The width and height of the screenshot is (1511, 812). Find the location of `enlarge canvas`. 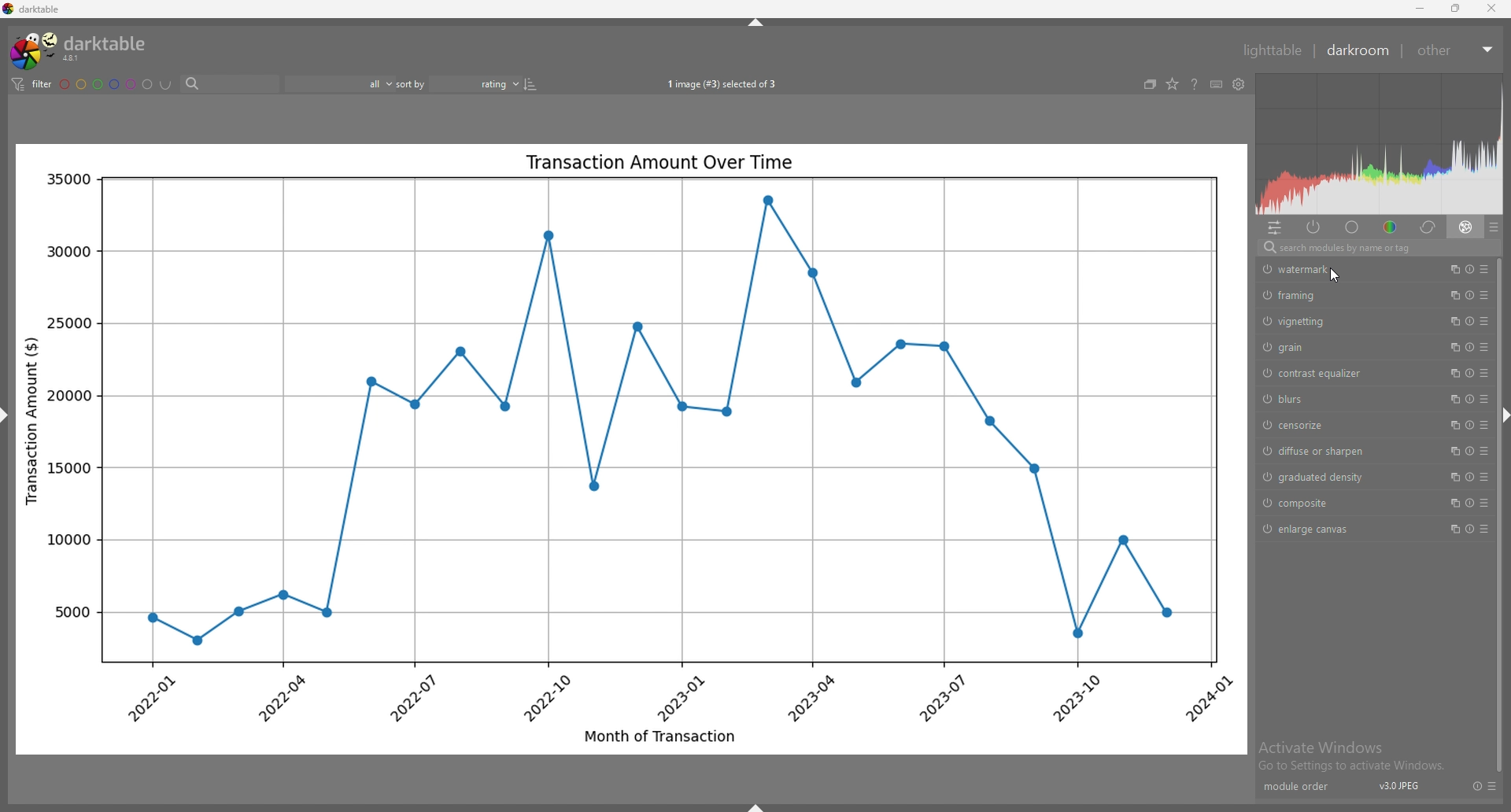

enlarge canvas is located at coordinates (1339, 528).